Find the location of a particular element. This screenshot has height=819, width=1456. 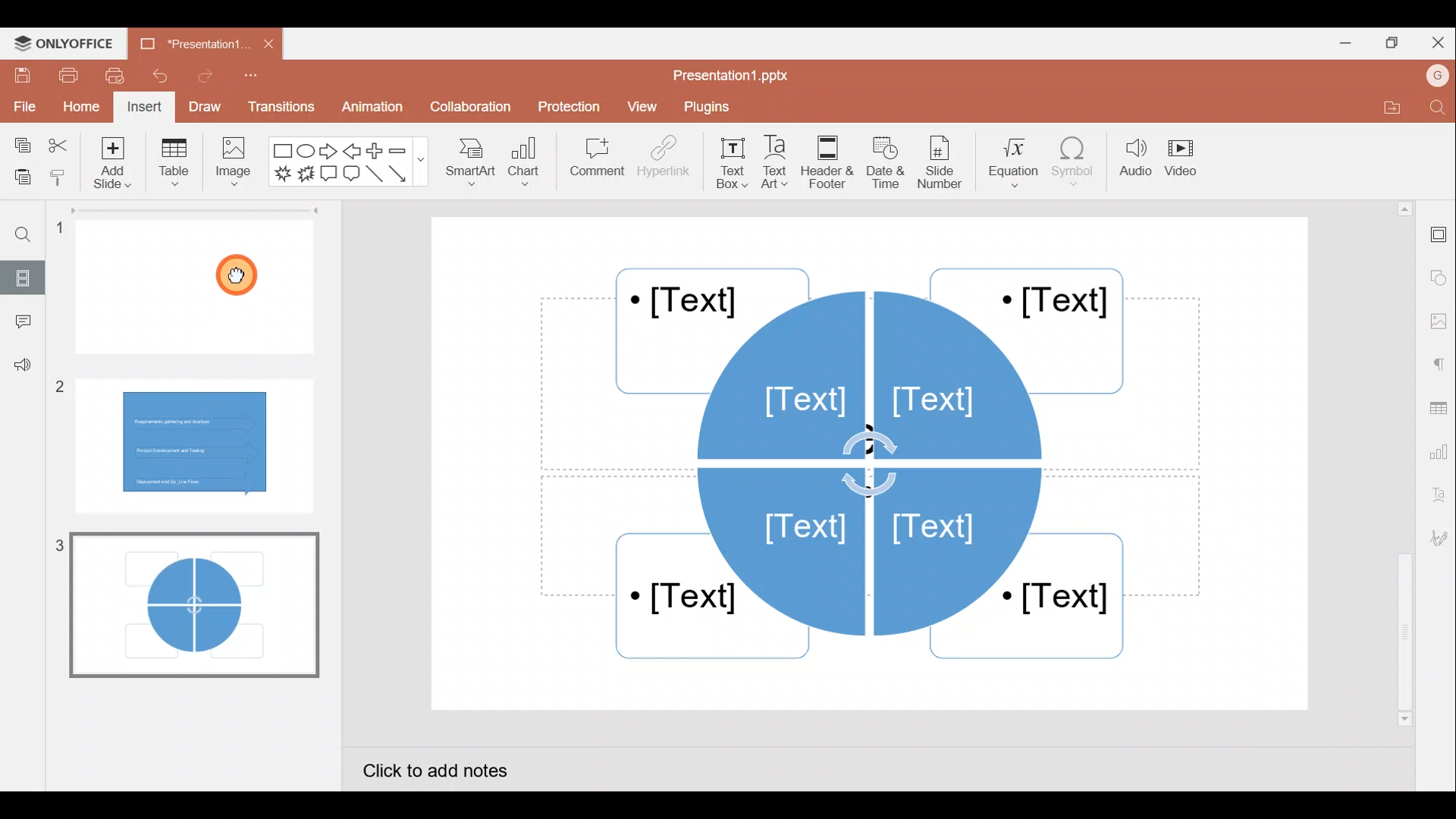

Image is located at coordinates (236, 168).